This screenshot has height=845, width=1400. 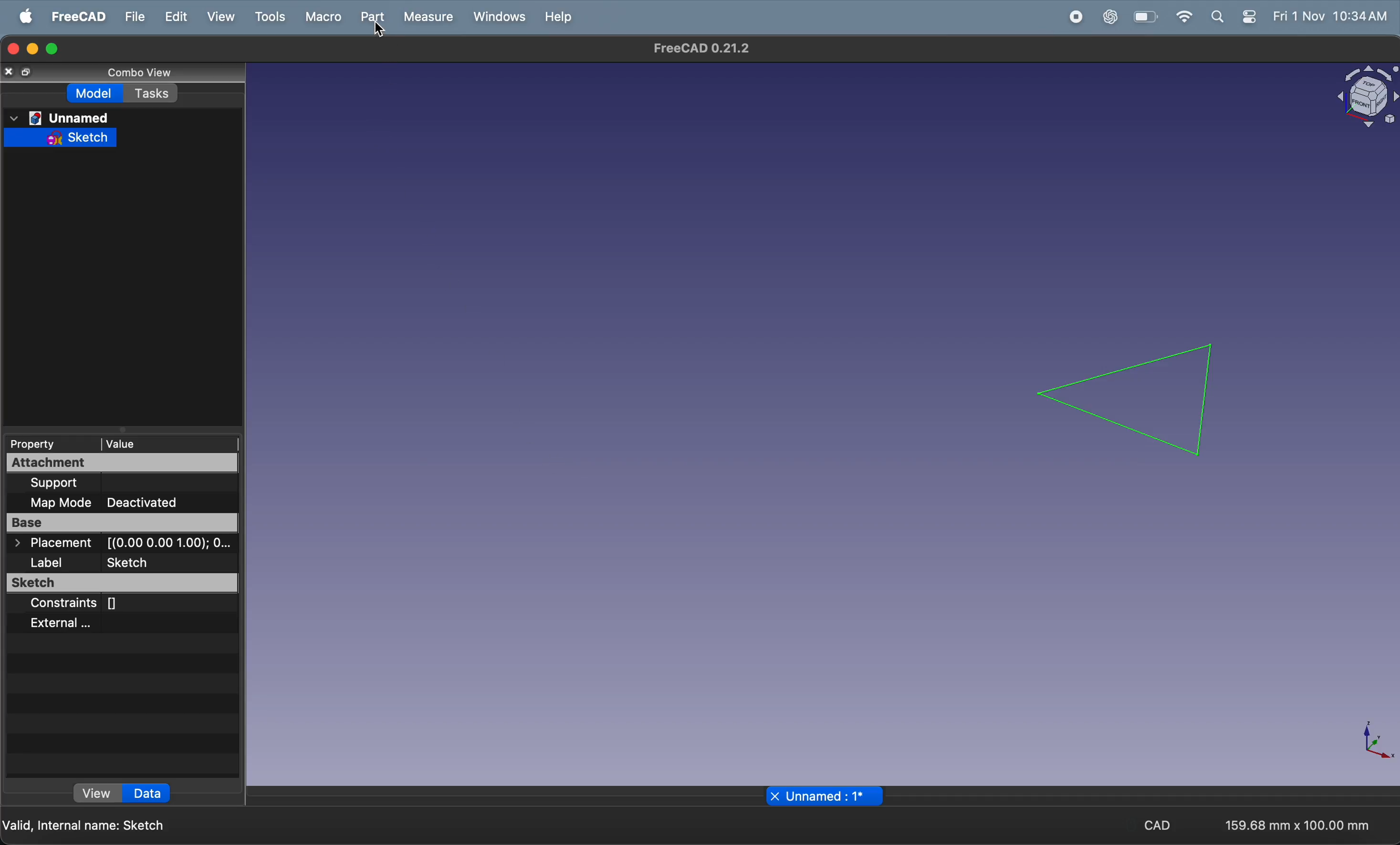 What do you see at coordinates (326, 18) in the screenshot?
I see `marco` at bounding box center [326, 18].